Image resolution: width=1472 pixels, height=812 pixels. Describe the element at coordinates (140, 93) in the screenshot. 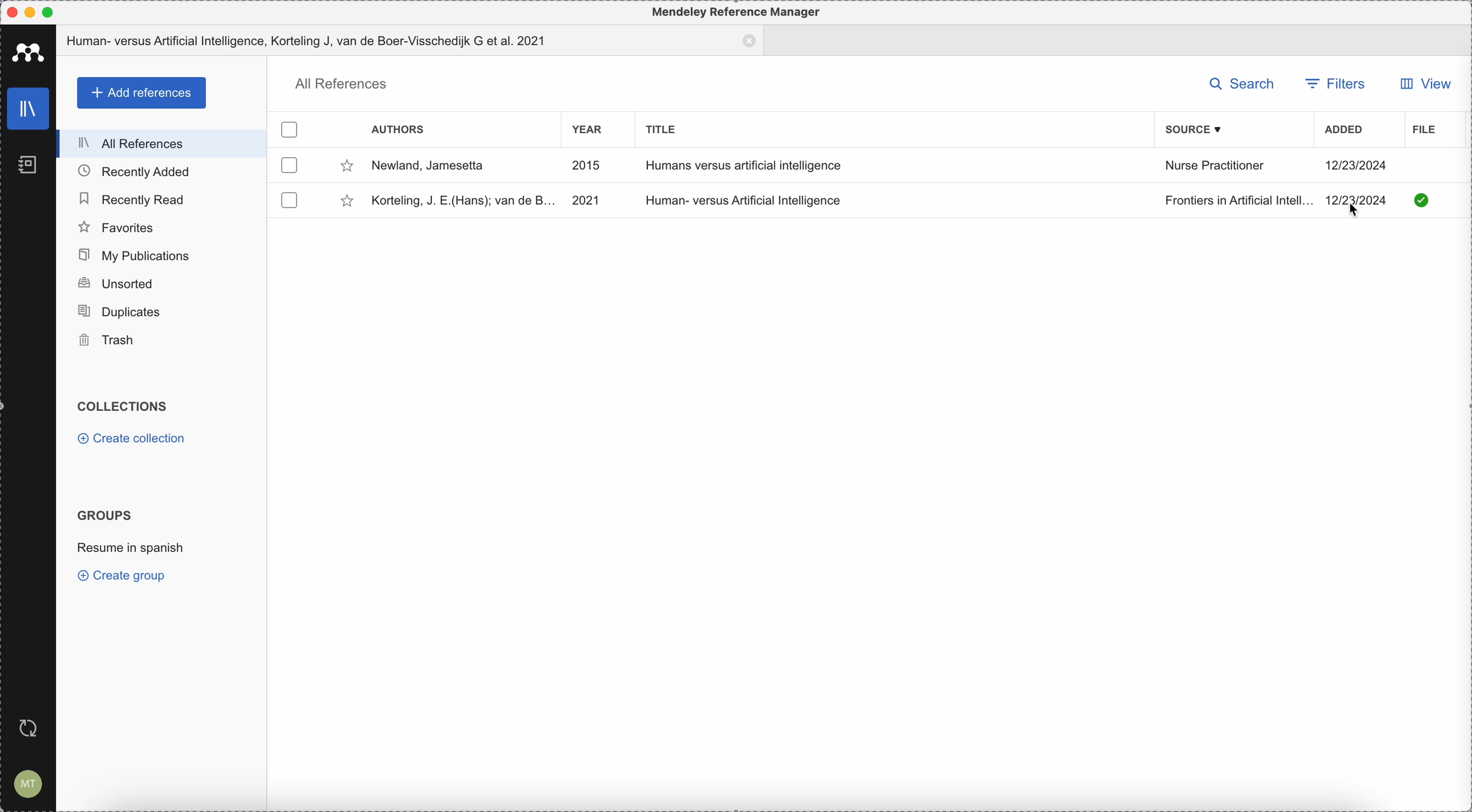

I see `add references` at that location.